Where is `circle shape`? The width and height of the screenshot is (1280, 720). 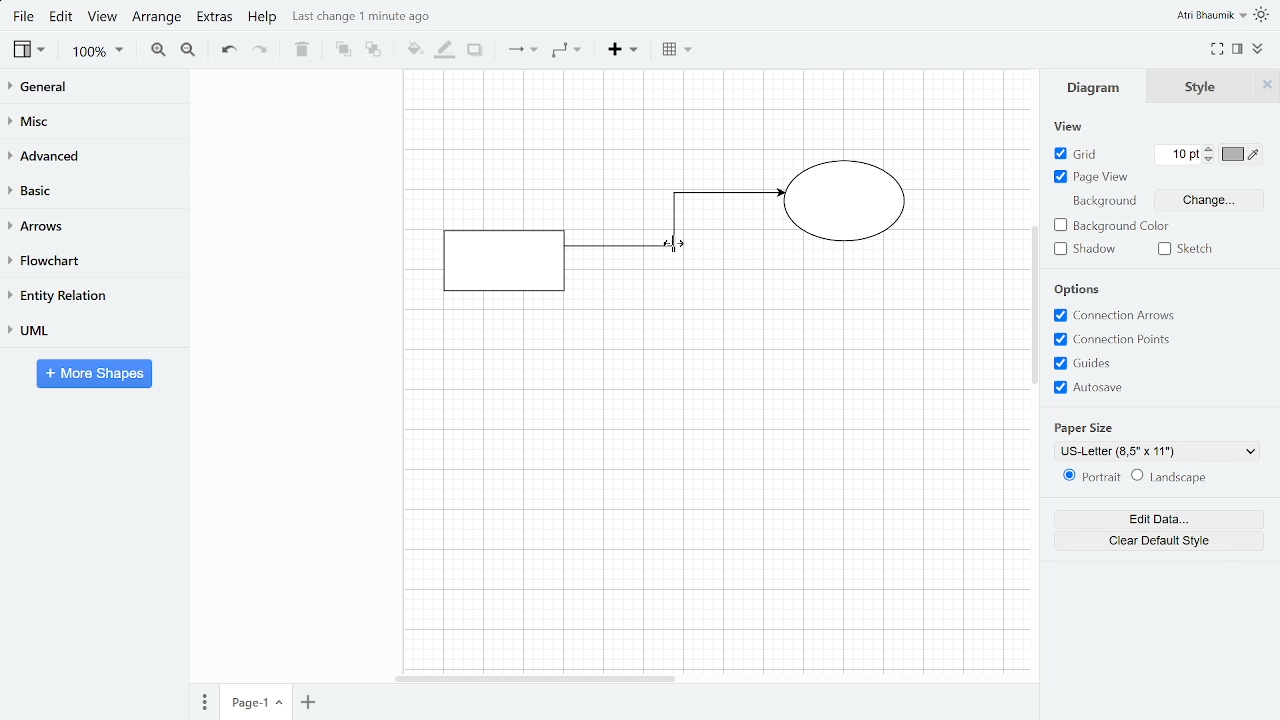 circle shape is located at coordinates (848, 204).